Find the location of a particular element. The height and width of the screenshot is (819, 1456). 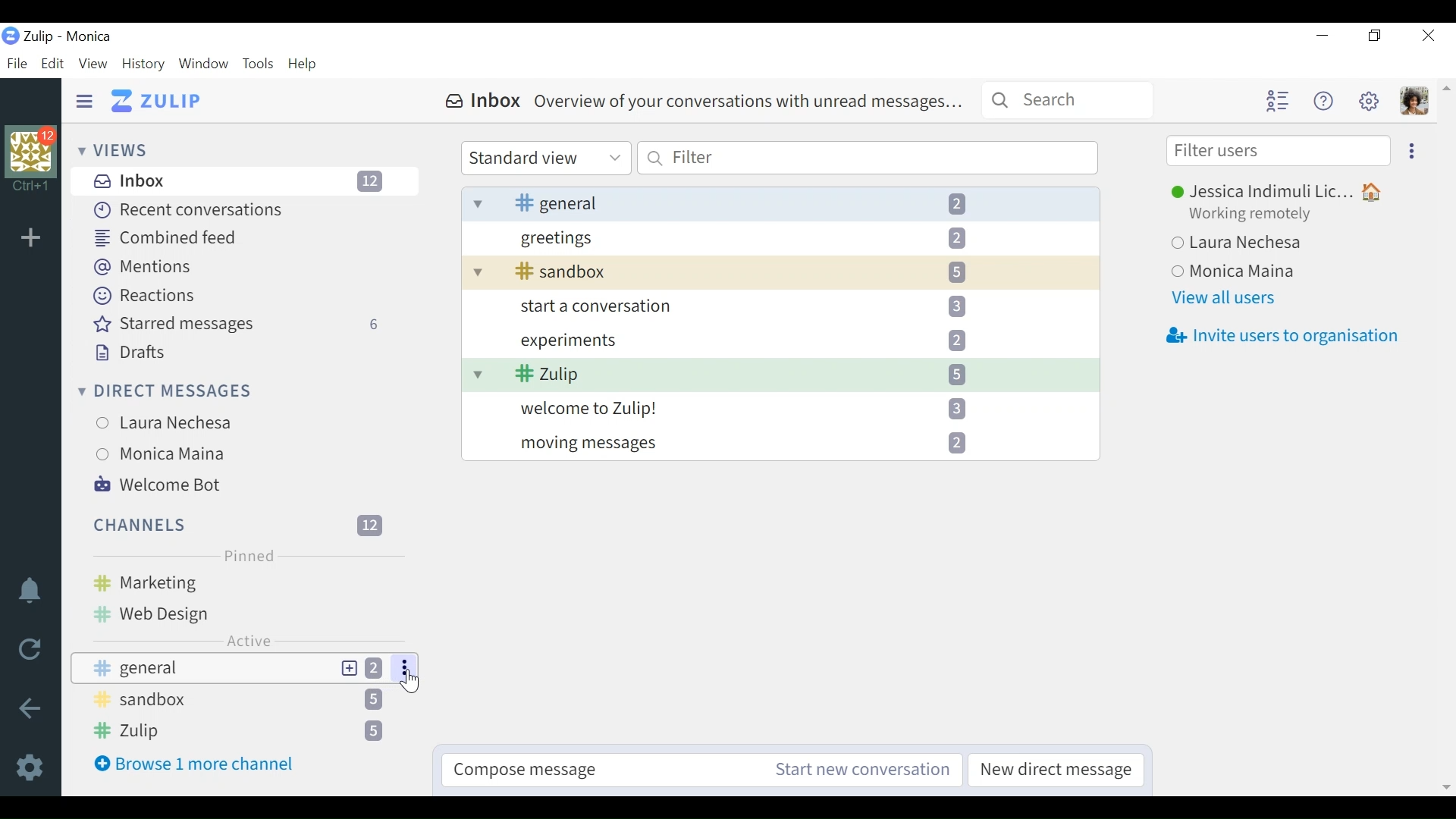

Inbox Overview of your conversations with unread messages... is located at coordinates (704, 102).